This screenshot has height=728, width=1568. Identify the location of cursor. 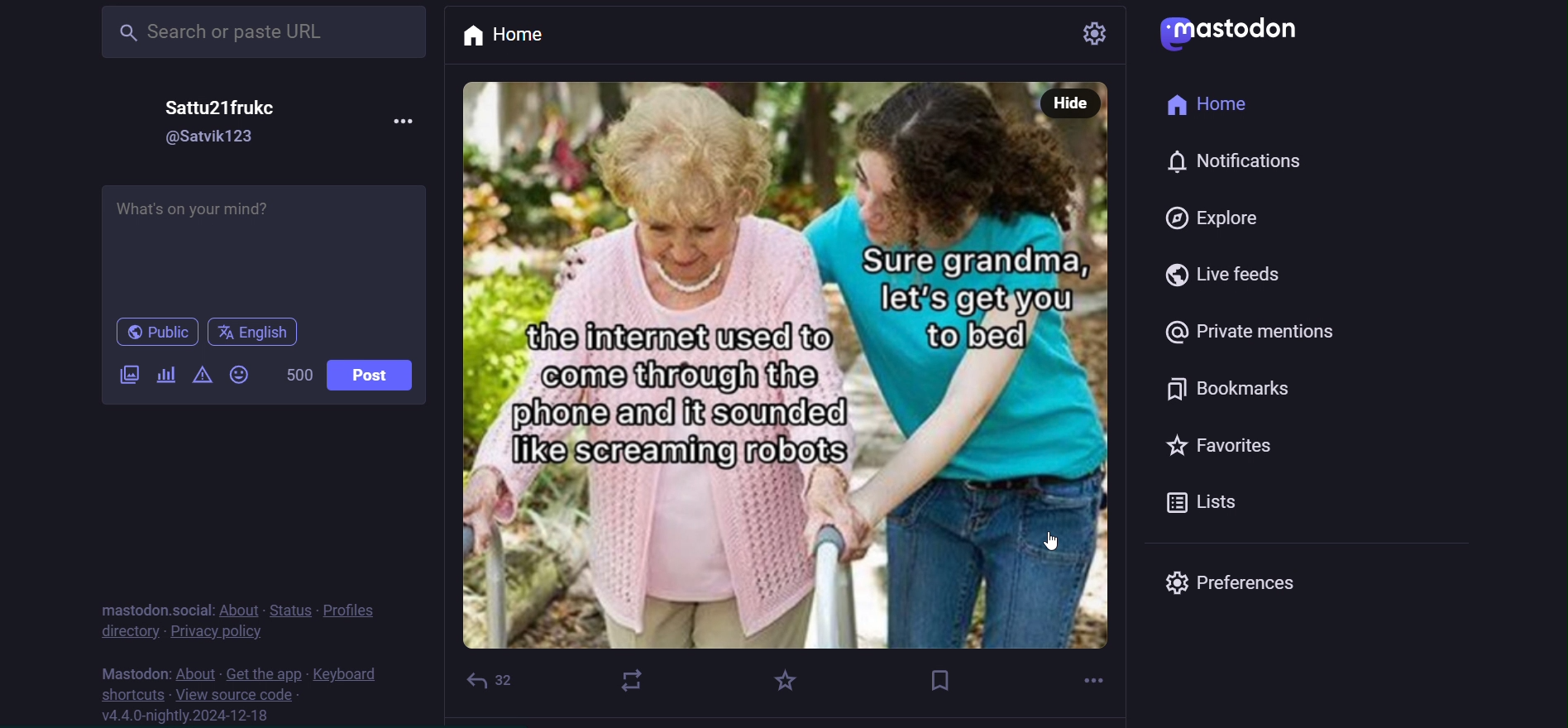
(1059, 541).